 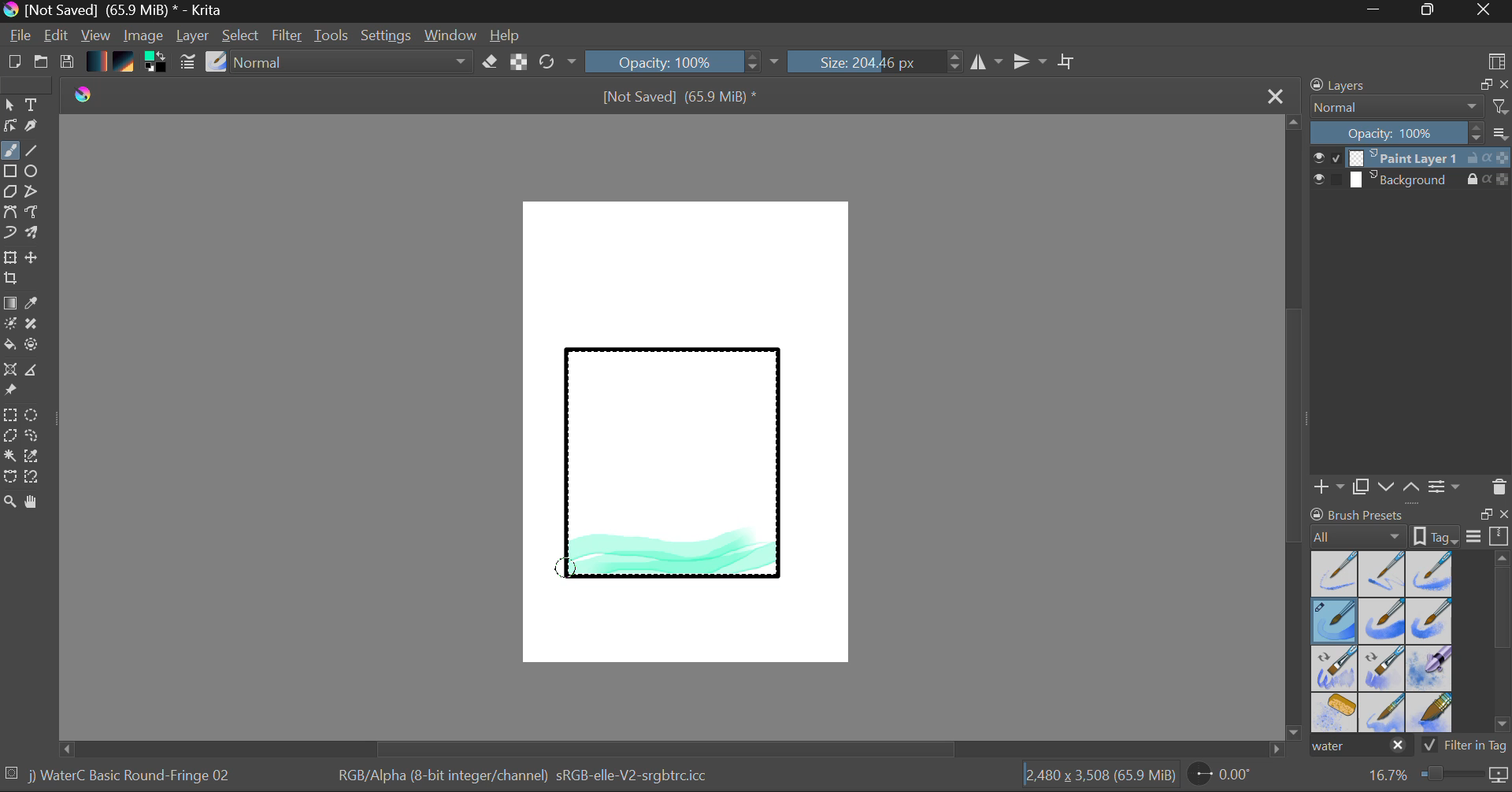 I want to click on Layer Opacity, so click(x=1412, y=134).